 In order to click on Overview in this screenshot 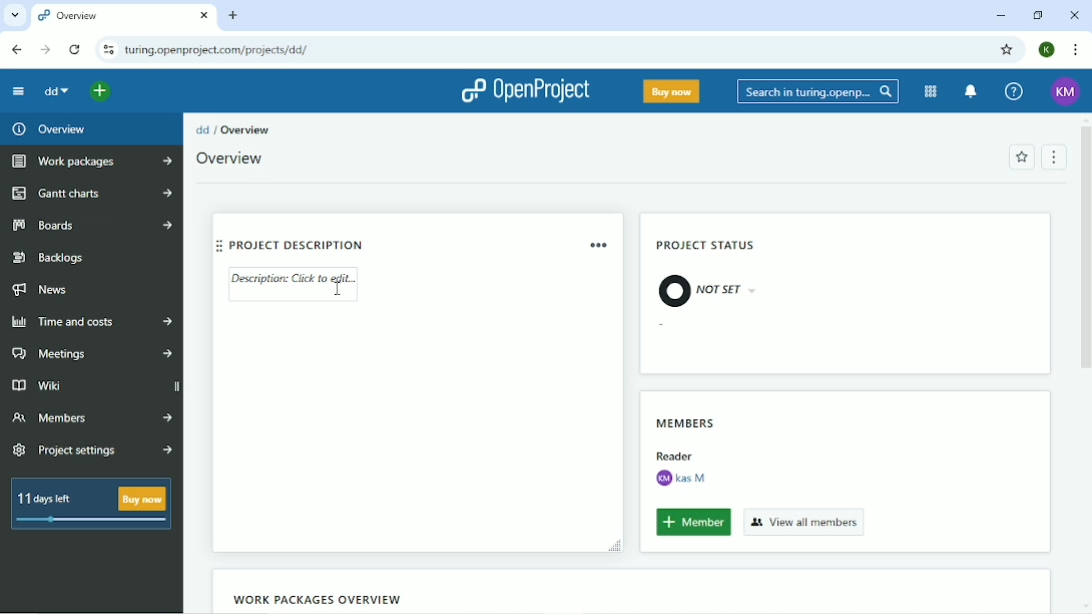, I will do `click(50, 129)`.